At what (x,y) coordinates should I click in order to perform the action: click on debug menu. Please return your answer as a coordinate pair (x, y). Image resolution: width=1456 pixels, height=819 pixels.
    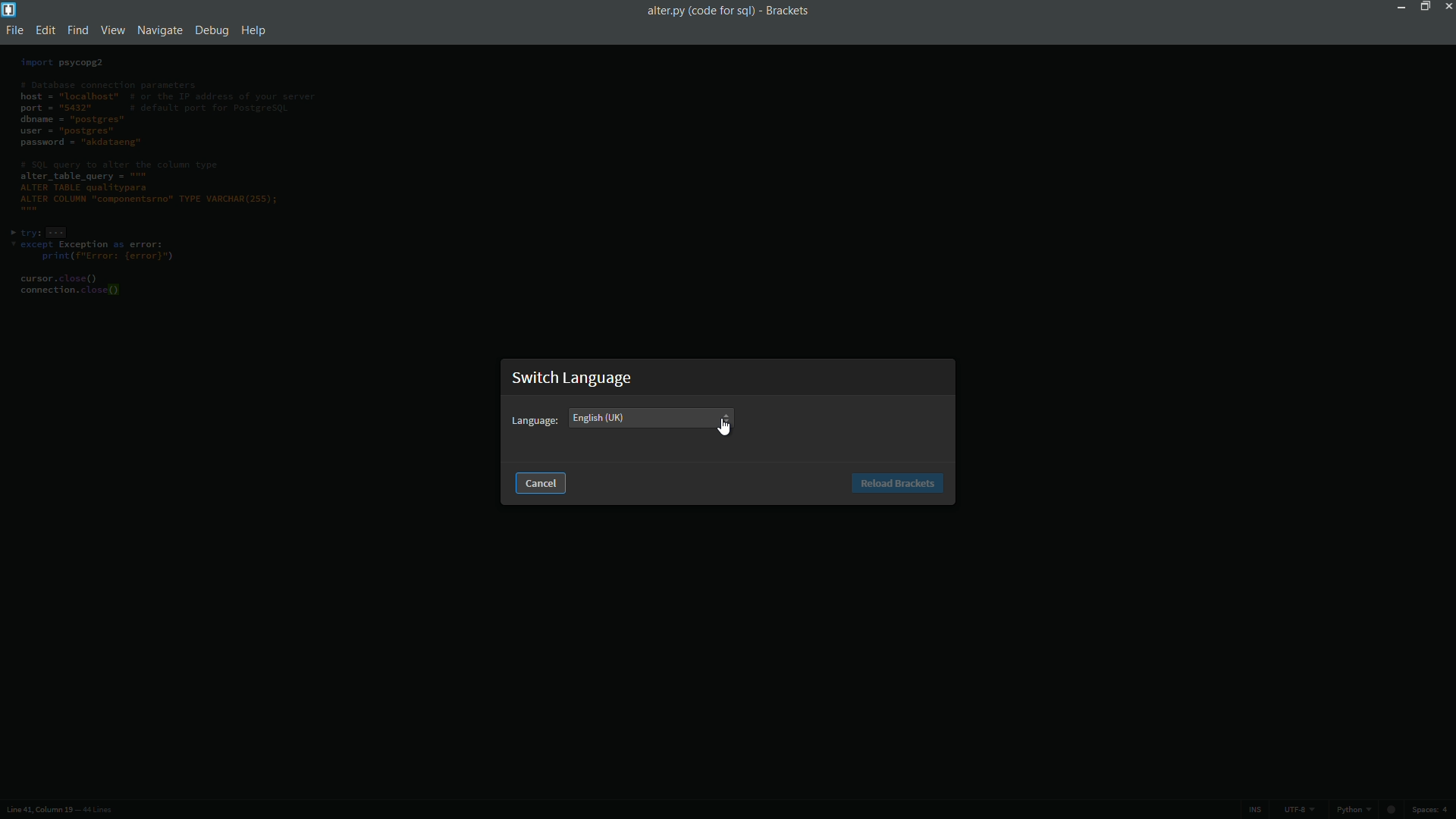
    Looking at the image, I should click on (209, 31).